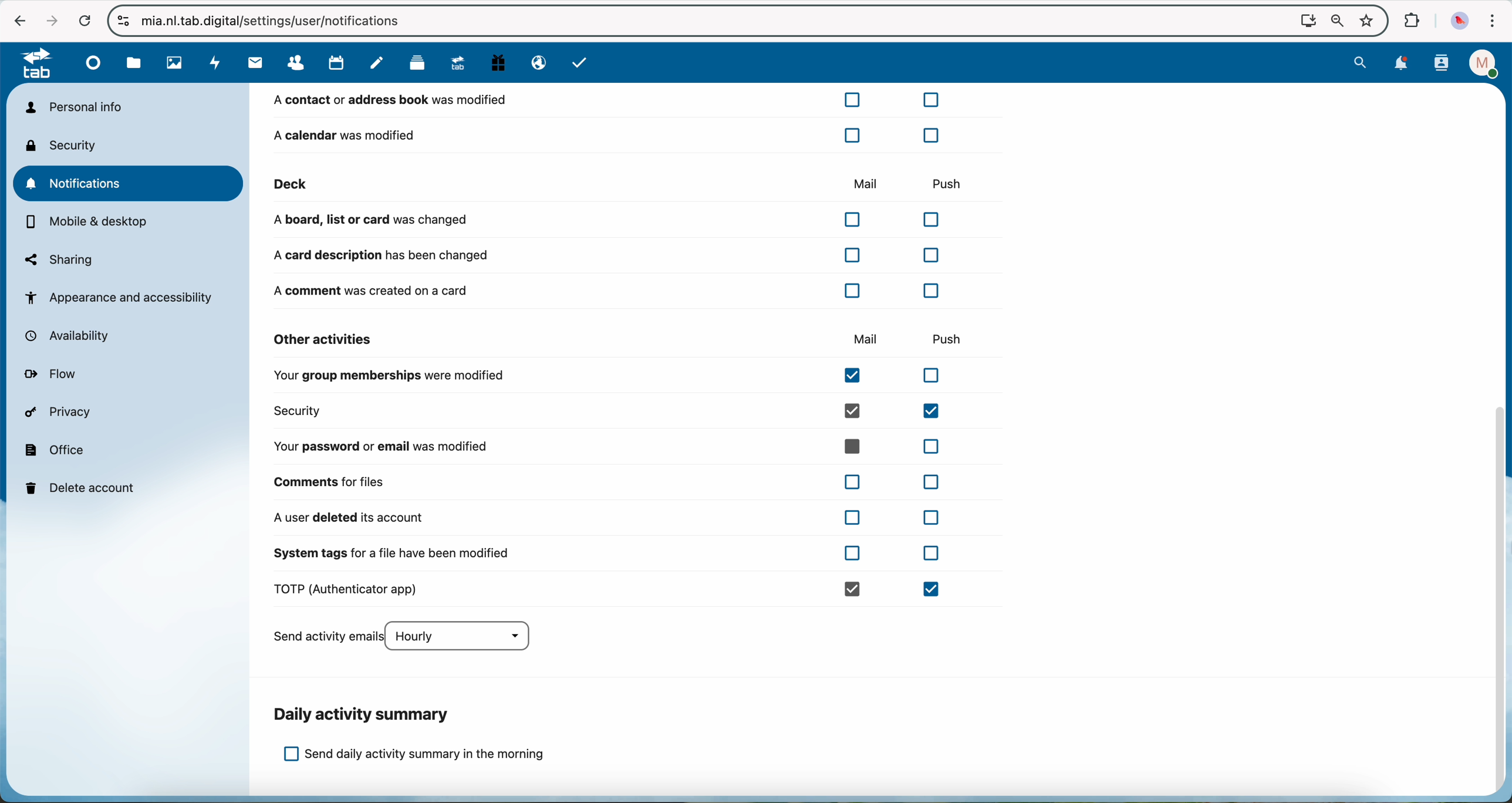 This screenshot has width=1512, height=803. I want to click on mobile and desktop, so click(89, 223).